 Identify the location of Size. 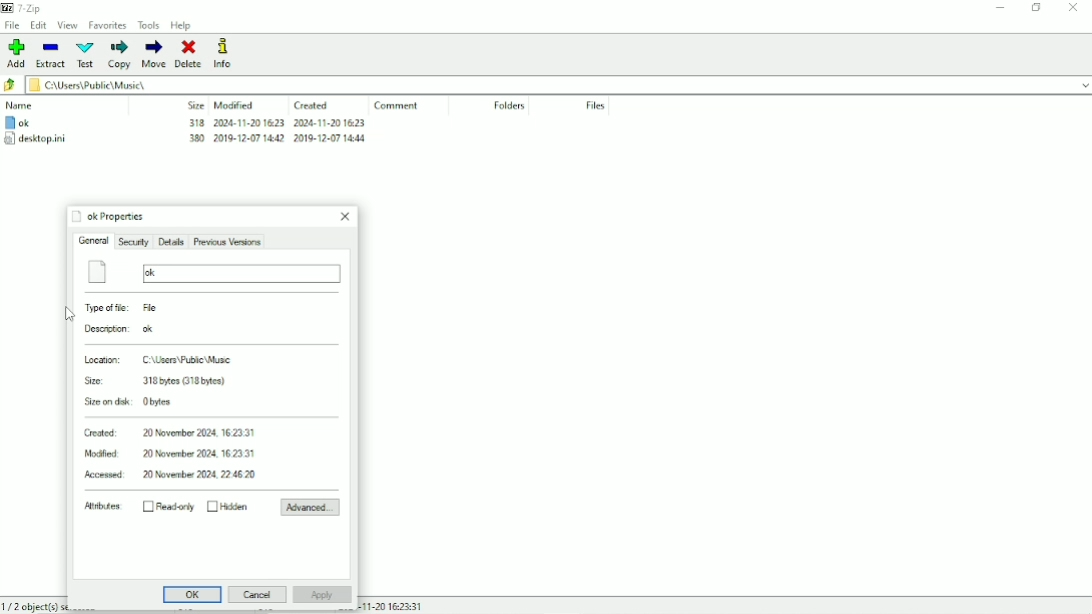
(158, 381).